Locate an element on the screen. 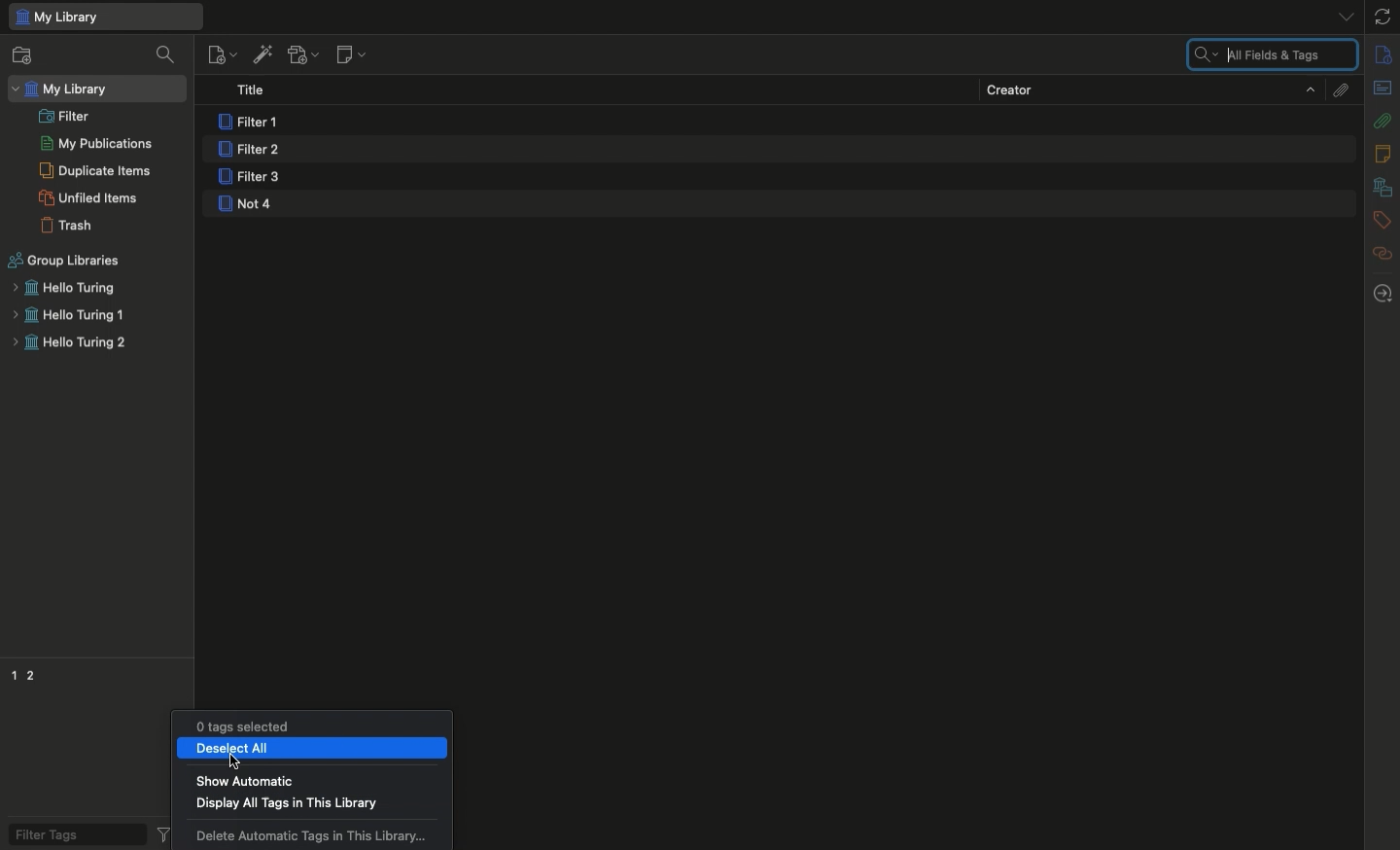 This screenshot has width=1400, height=850. Tags is located at coordinates (1382, 221).